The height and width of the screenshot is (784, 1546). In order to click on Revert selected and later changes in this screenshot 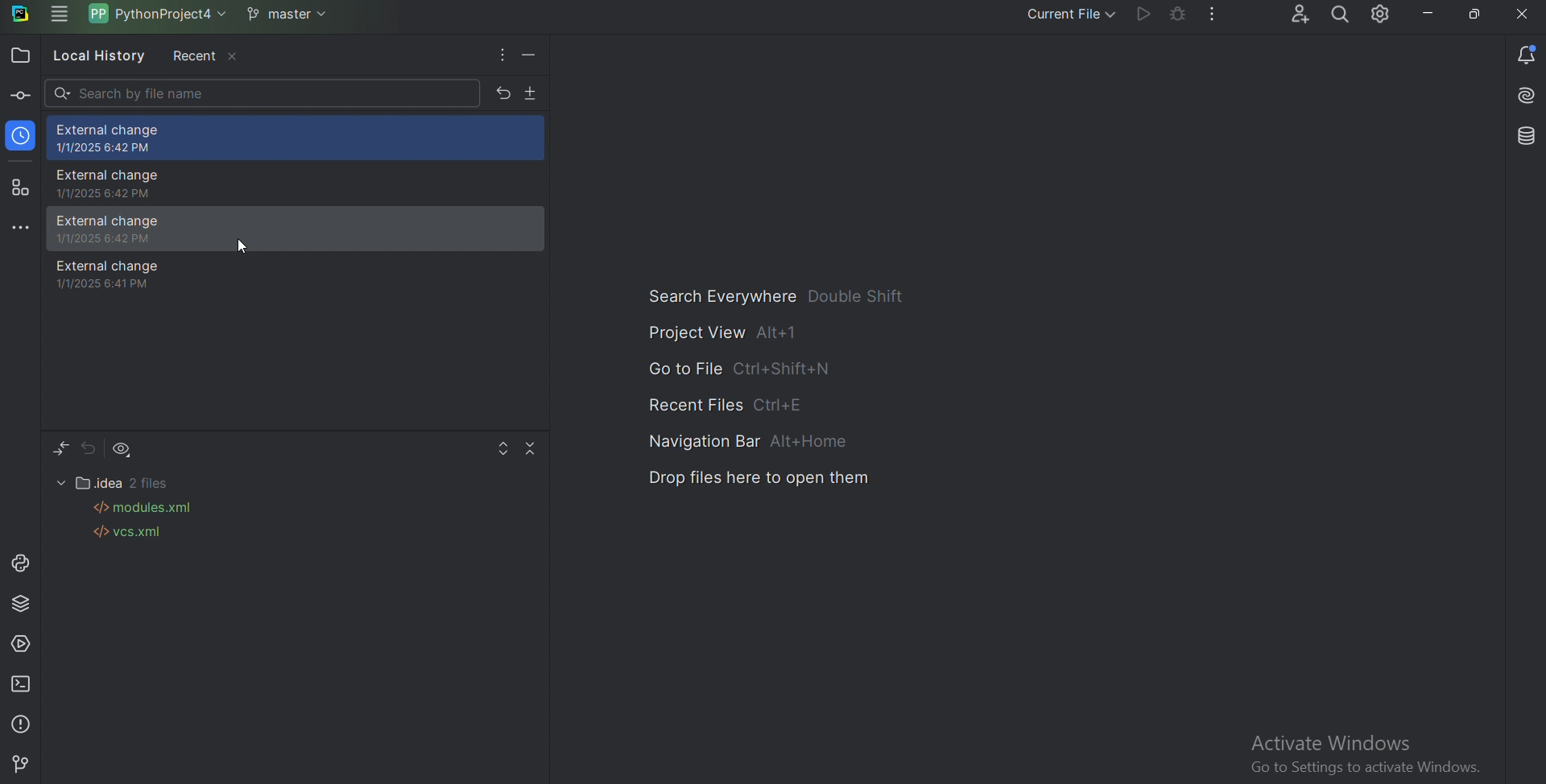, I will do `click(503, 93)`.